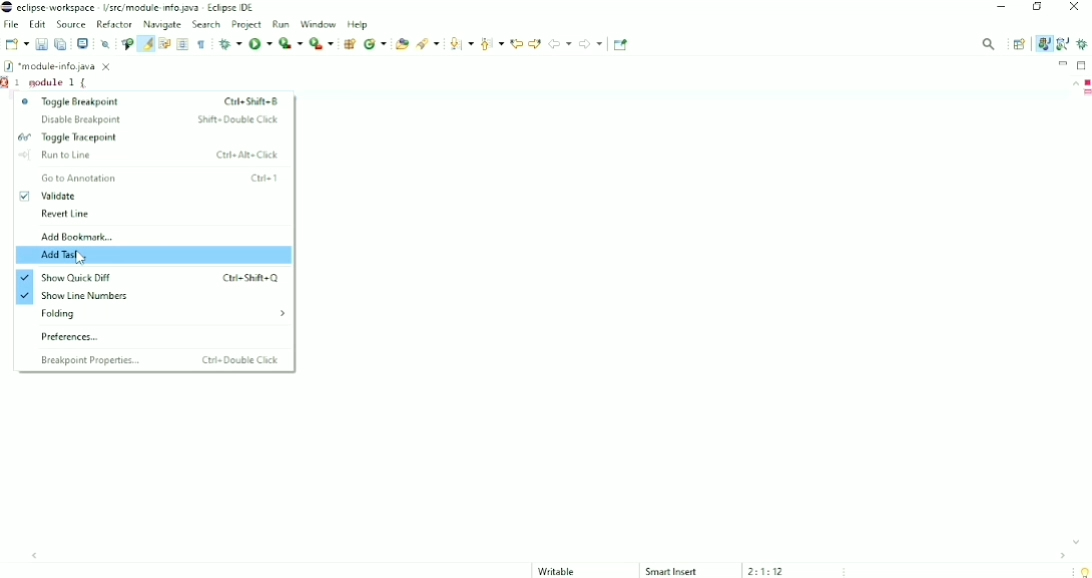 This screenshot has height=578, width=1092. I want to click on Add Bookmark, so click(78, 237).